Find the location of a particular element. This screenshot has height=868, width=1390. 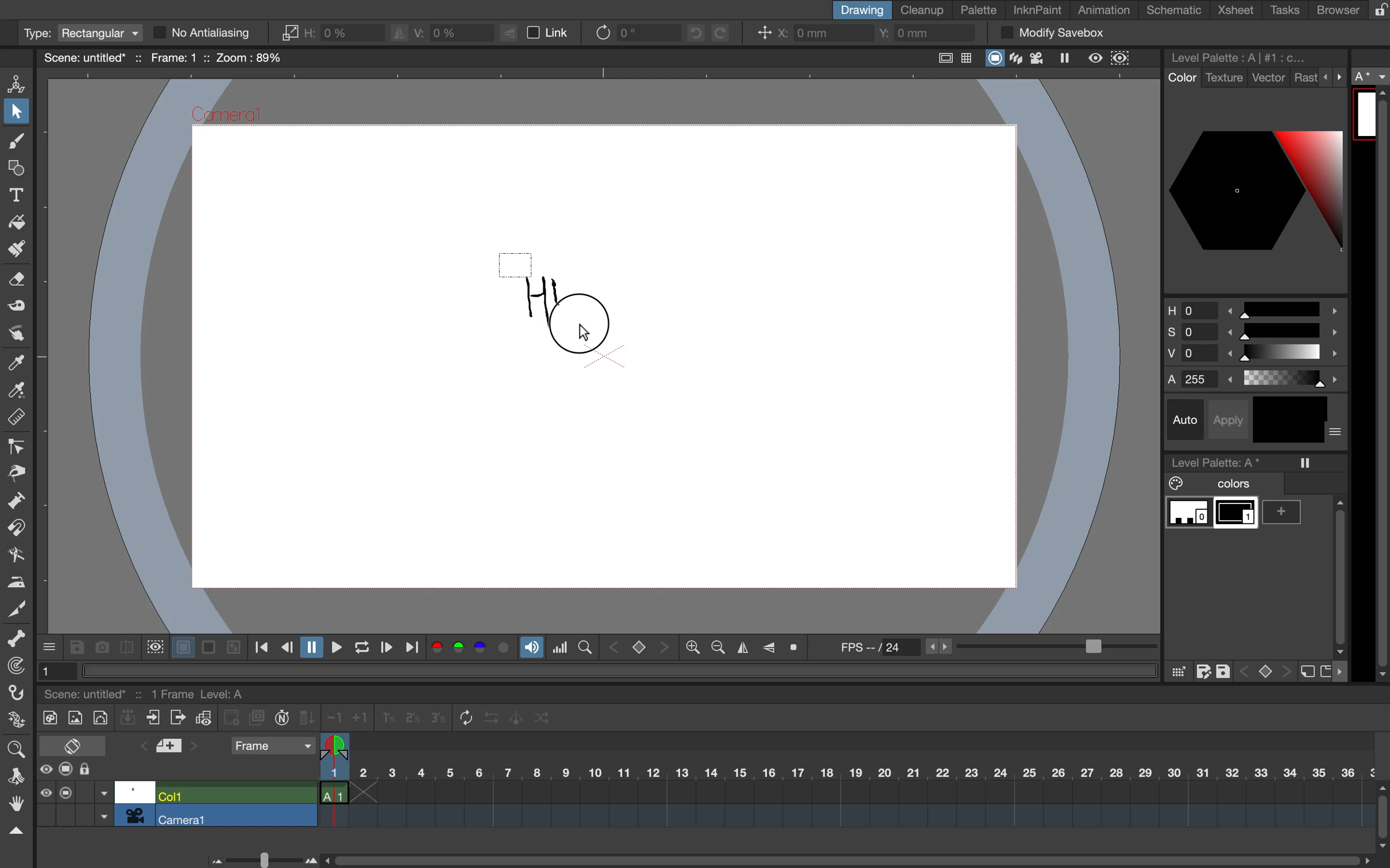

zoom out is located at coordinates (692, 649).